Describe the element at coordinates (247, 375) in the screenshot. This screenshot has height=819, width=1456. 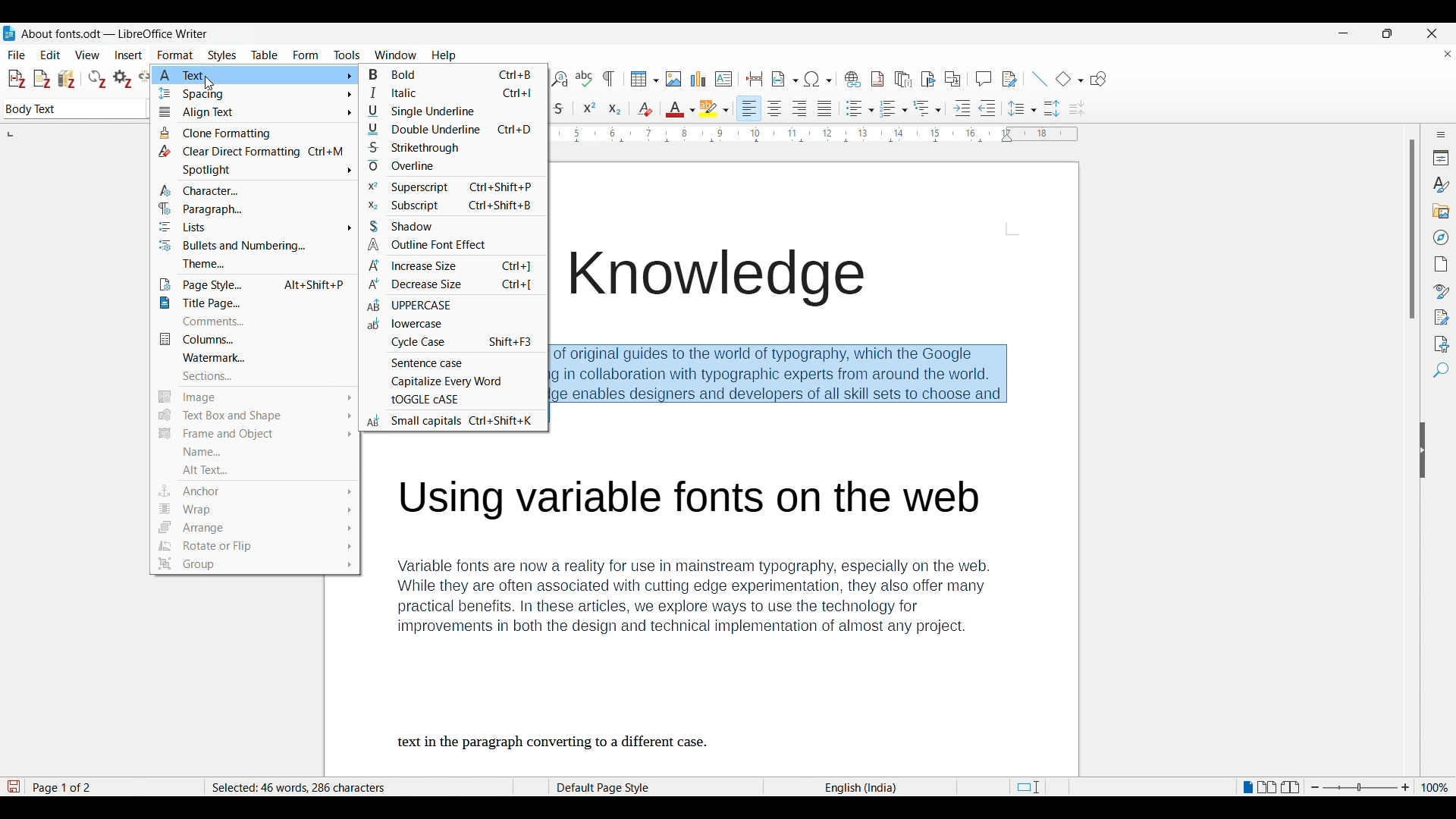
I see `Sections` at that location.